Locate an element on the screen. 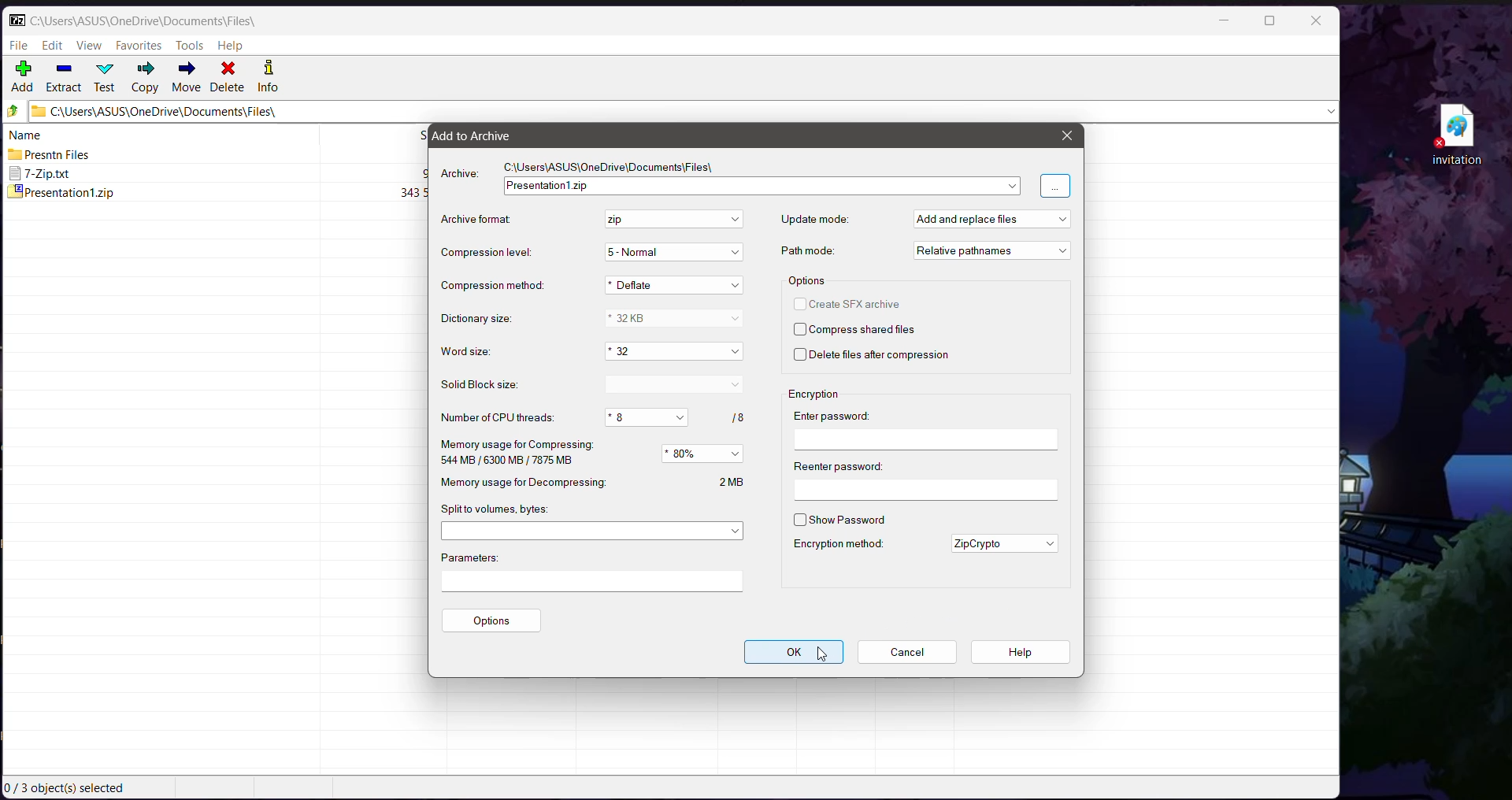 The image size is (1512, 800). Encryption is located at coordinates (821, 393).